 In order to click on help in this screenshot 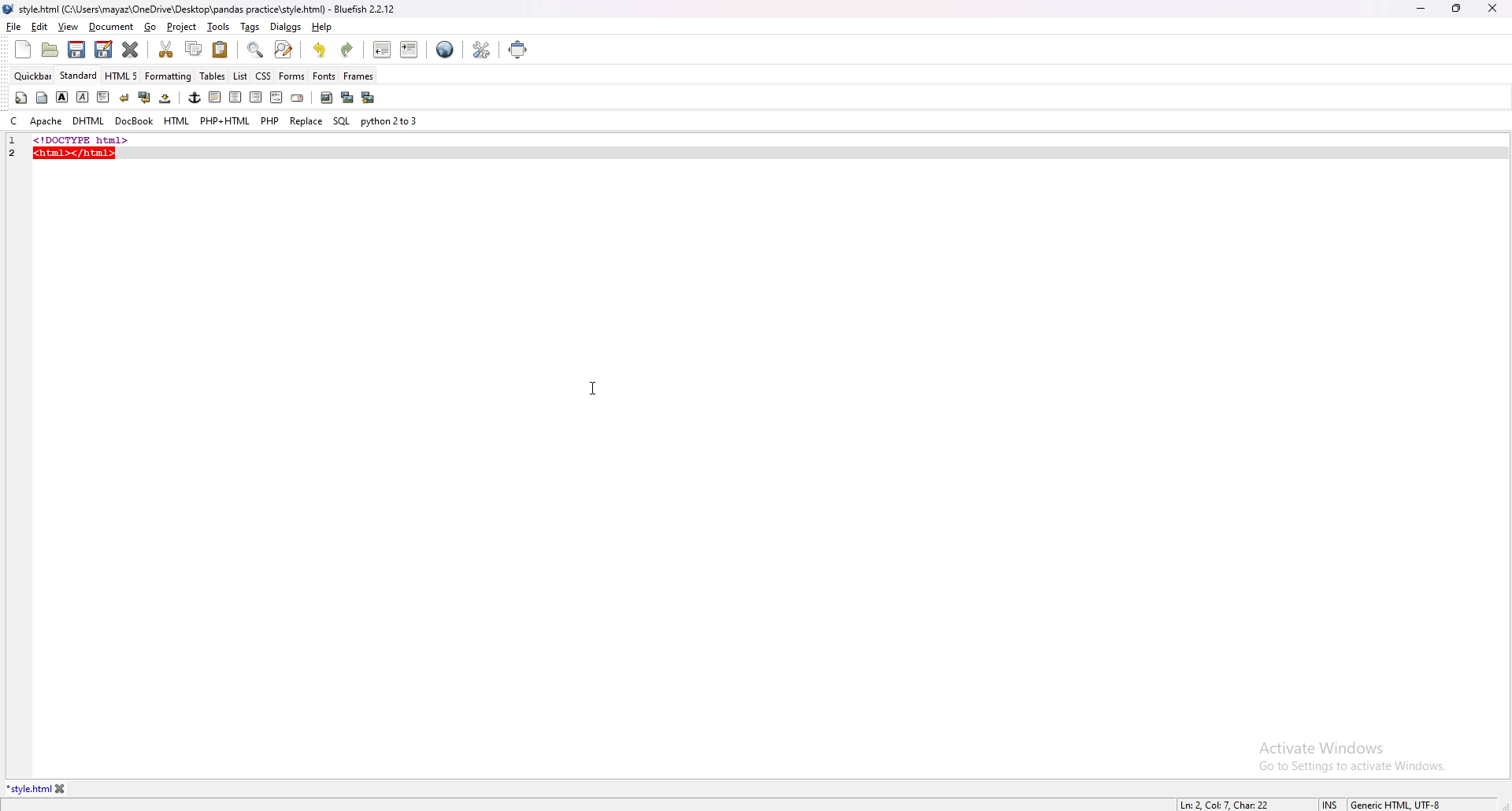, I will do `click(321, 27)`.